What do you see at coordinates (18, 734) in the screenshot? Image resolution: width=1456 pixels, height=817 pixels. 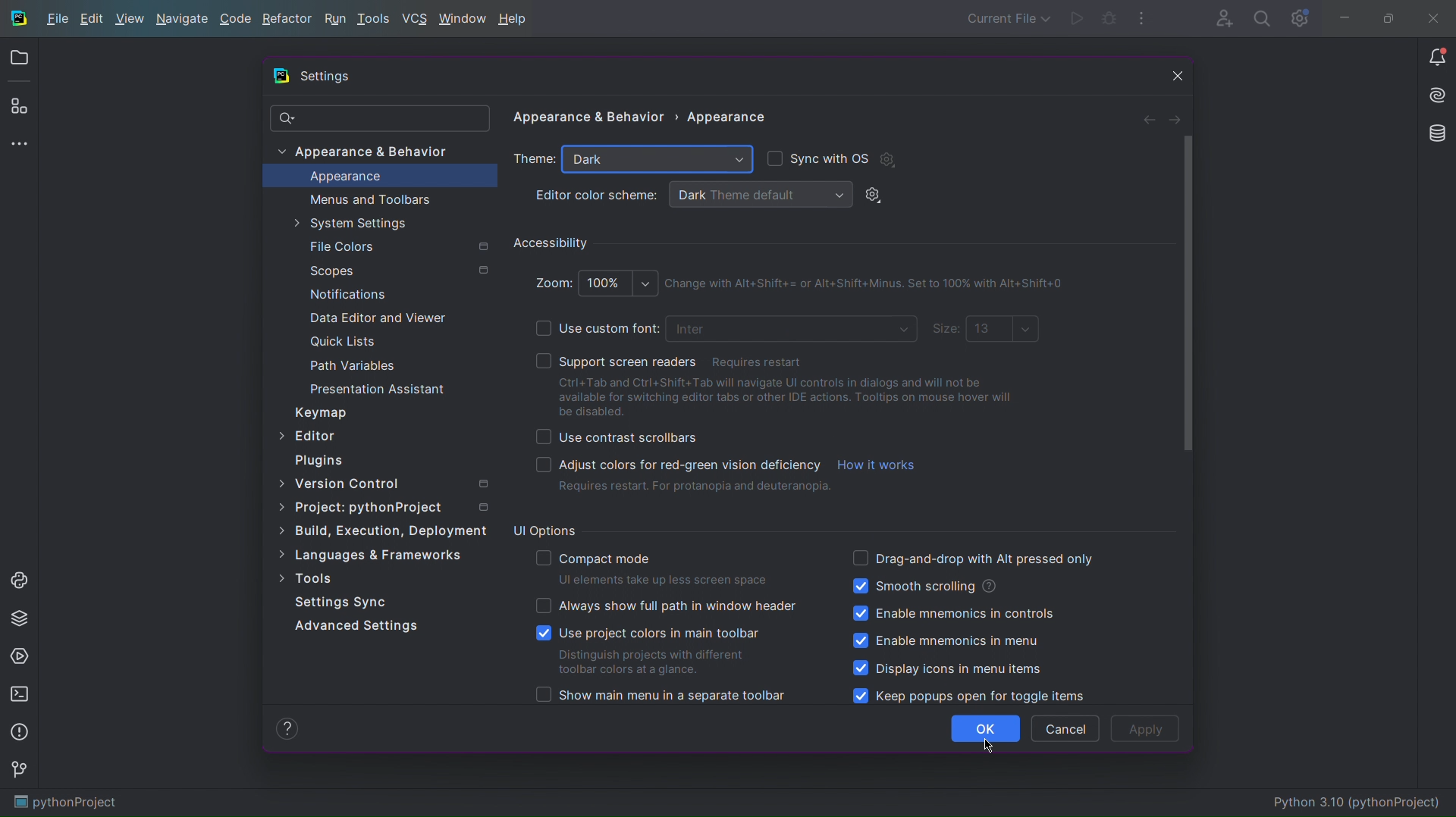 I see `Problems` at bounding box center [18, 734].